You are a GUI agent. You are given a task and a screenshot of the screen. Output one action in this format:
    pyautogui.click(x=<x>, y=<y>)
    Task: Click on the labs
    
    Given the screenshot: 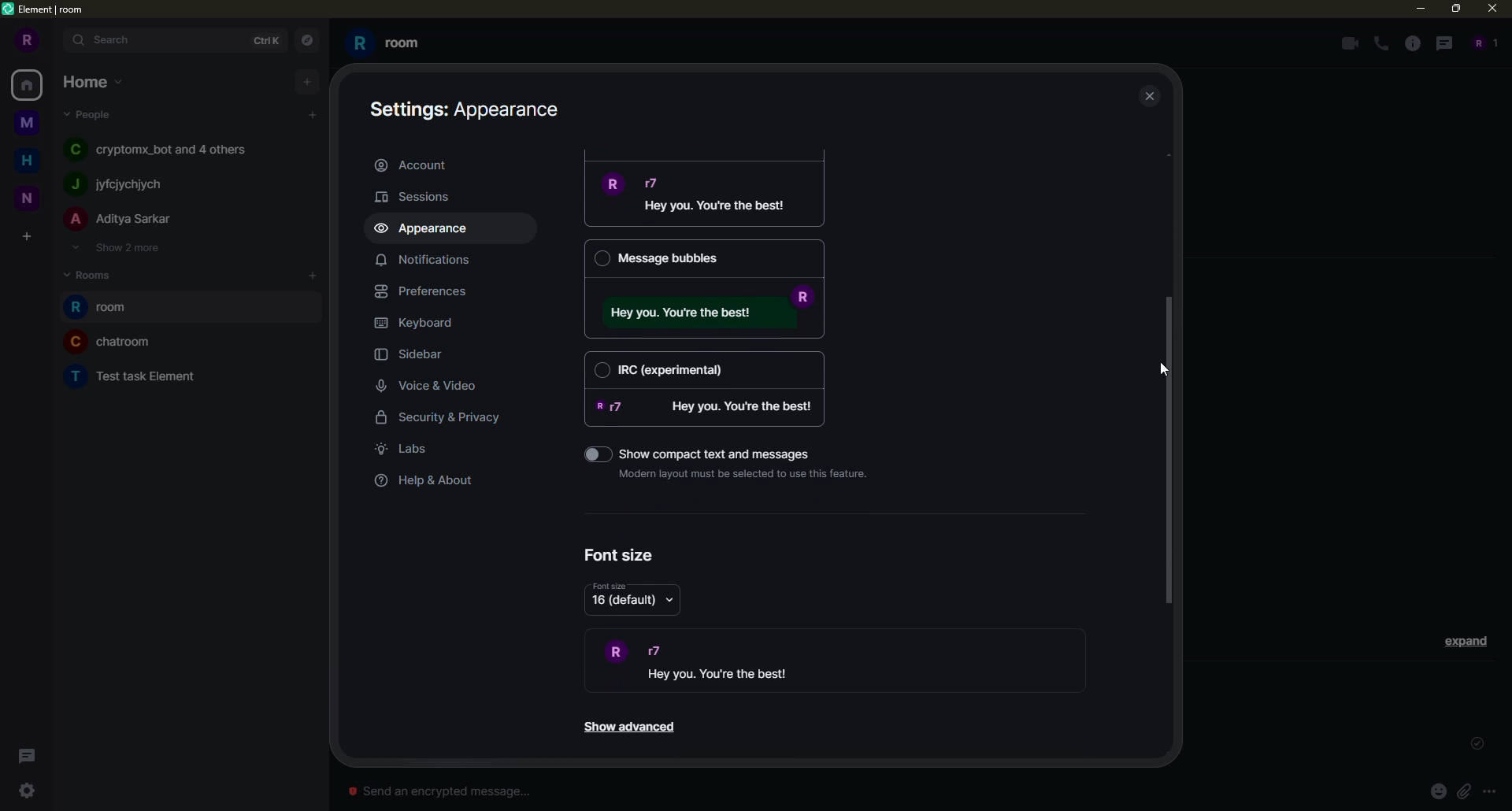 What is the action you would take?
    pyautogui.click(x=406, y=449)
    